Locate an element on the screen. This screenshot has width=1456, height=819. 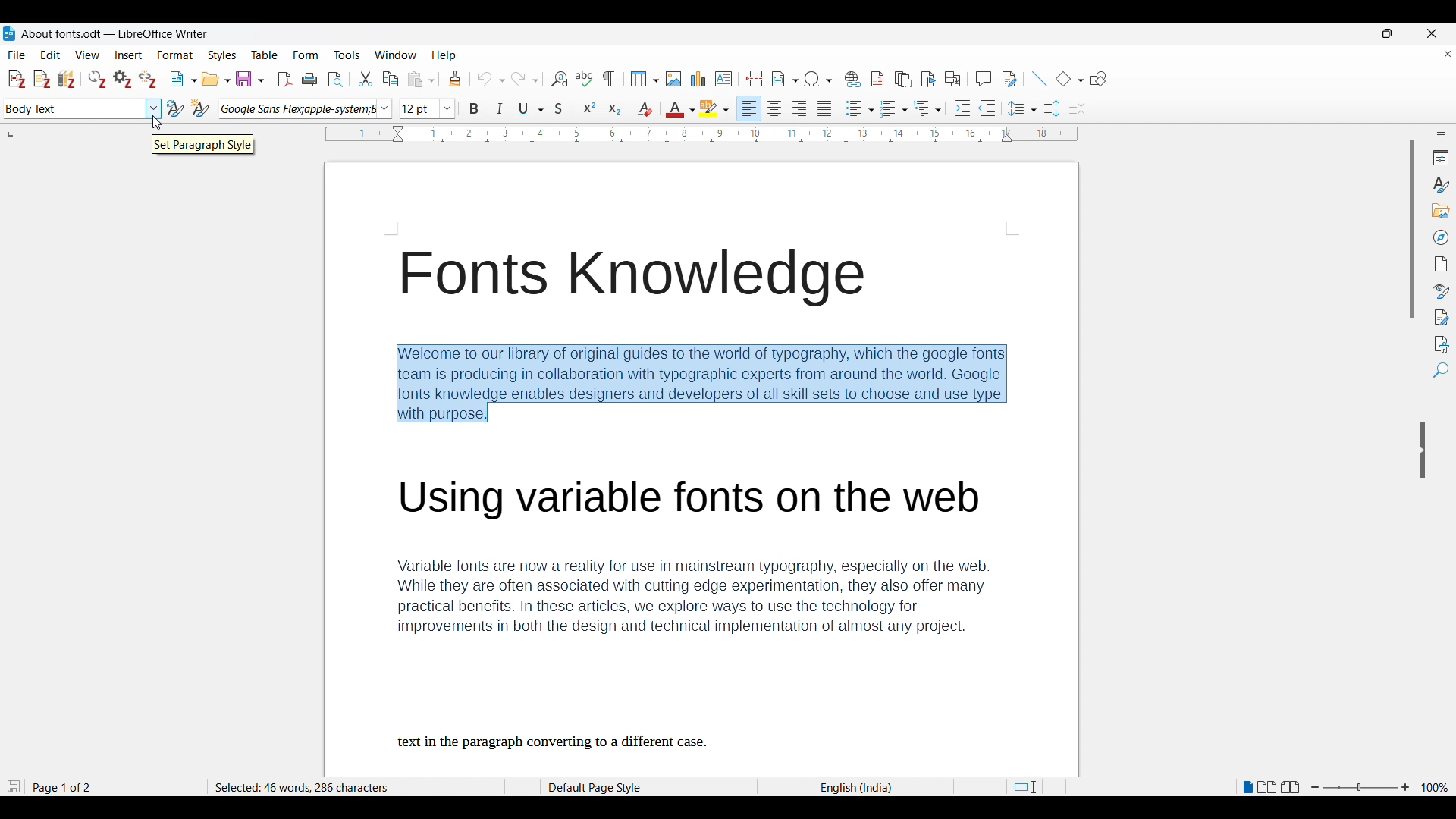
Cursor is located at coordinates (157, 123).